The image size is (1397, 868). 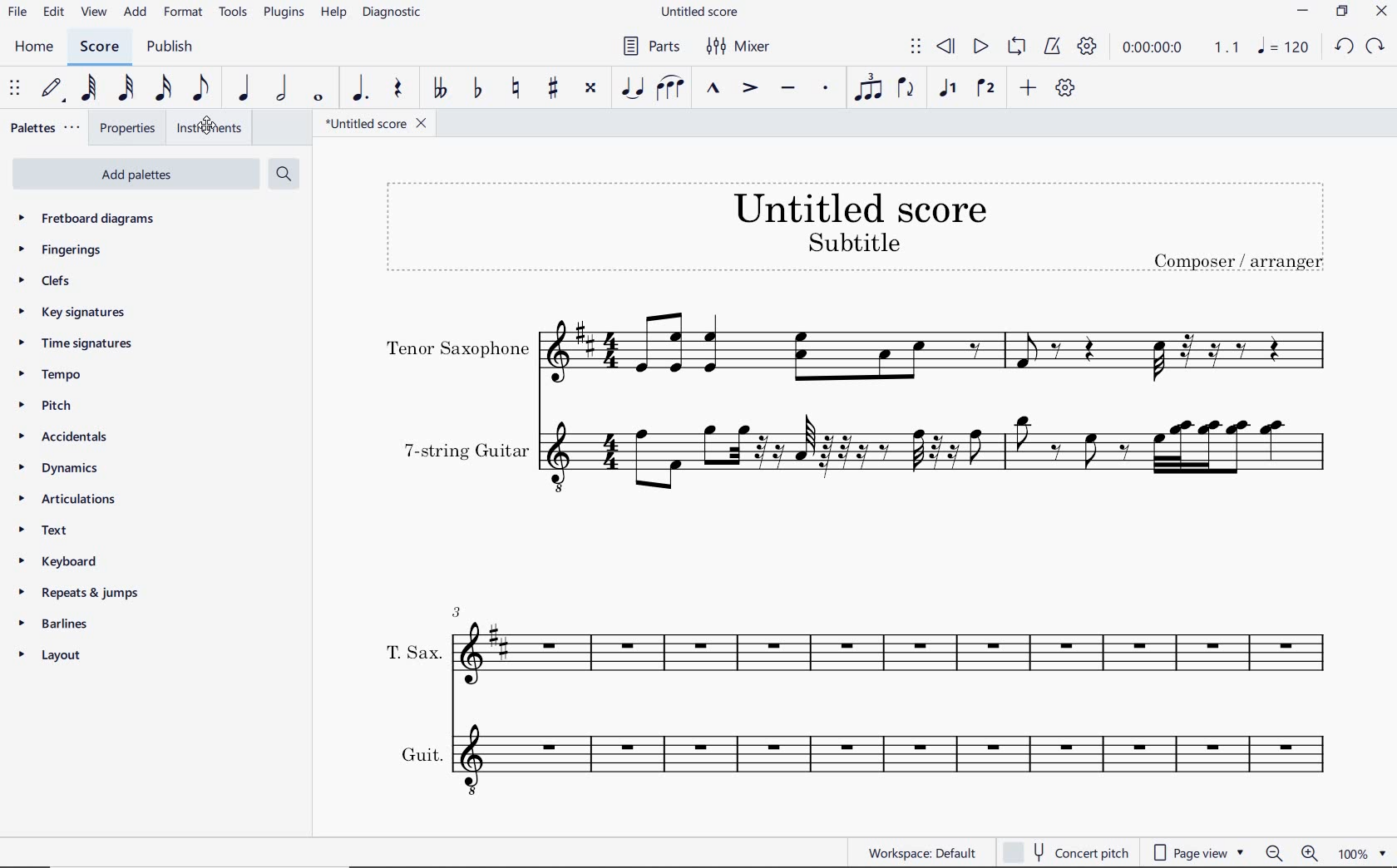 What do you see at coordinates (916, 49) in the screenshot?
I see `SELECT TO MOVE` at bounding box center [916, 49].